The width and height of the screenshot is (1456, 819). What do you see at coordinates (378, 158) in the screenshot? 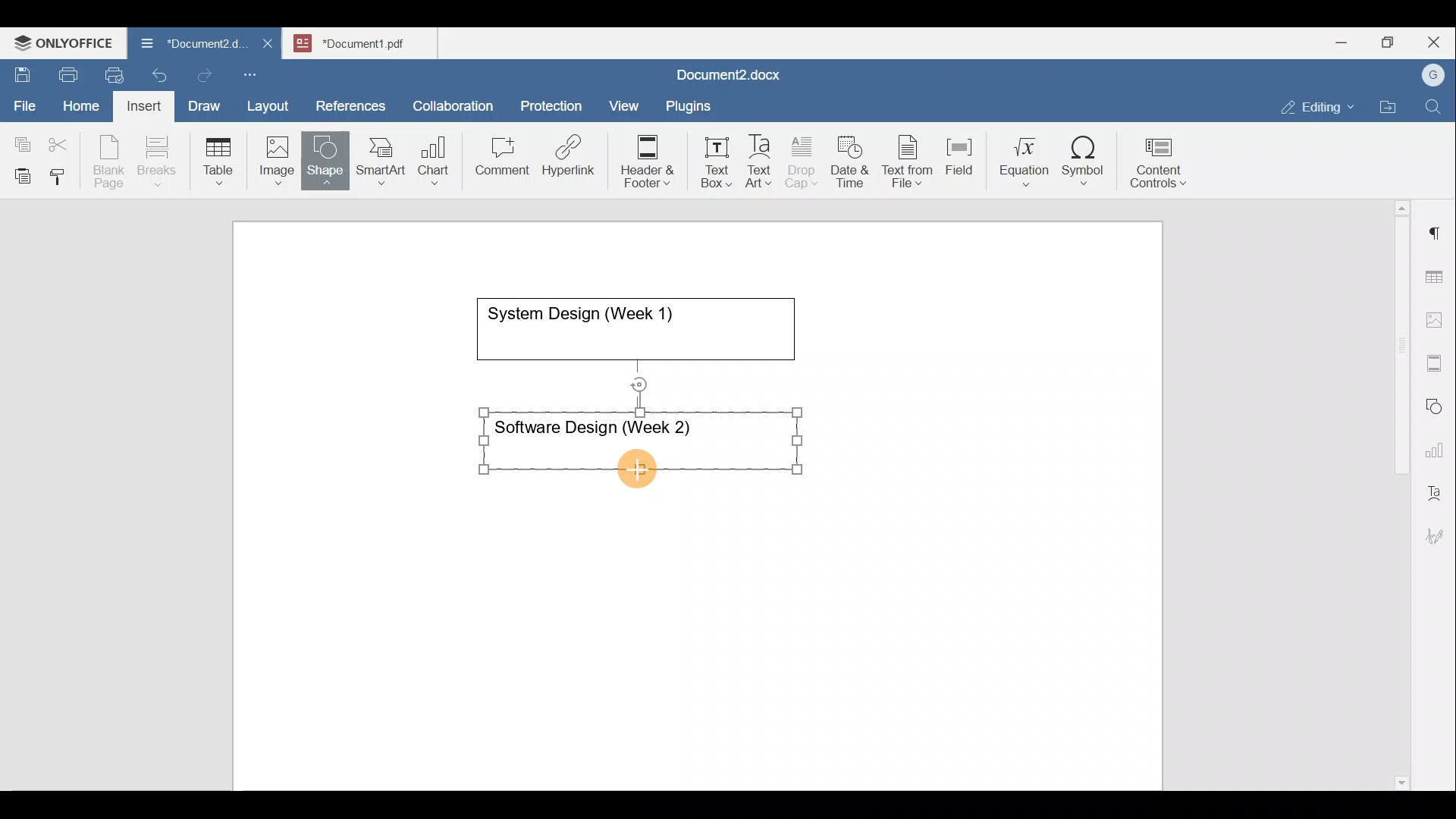
I see `SmartArt` at bounding box center [378, 158].